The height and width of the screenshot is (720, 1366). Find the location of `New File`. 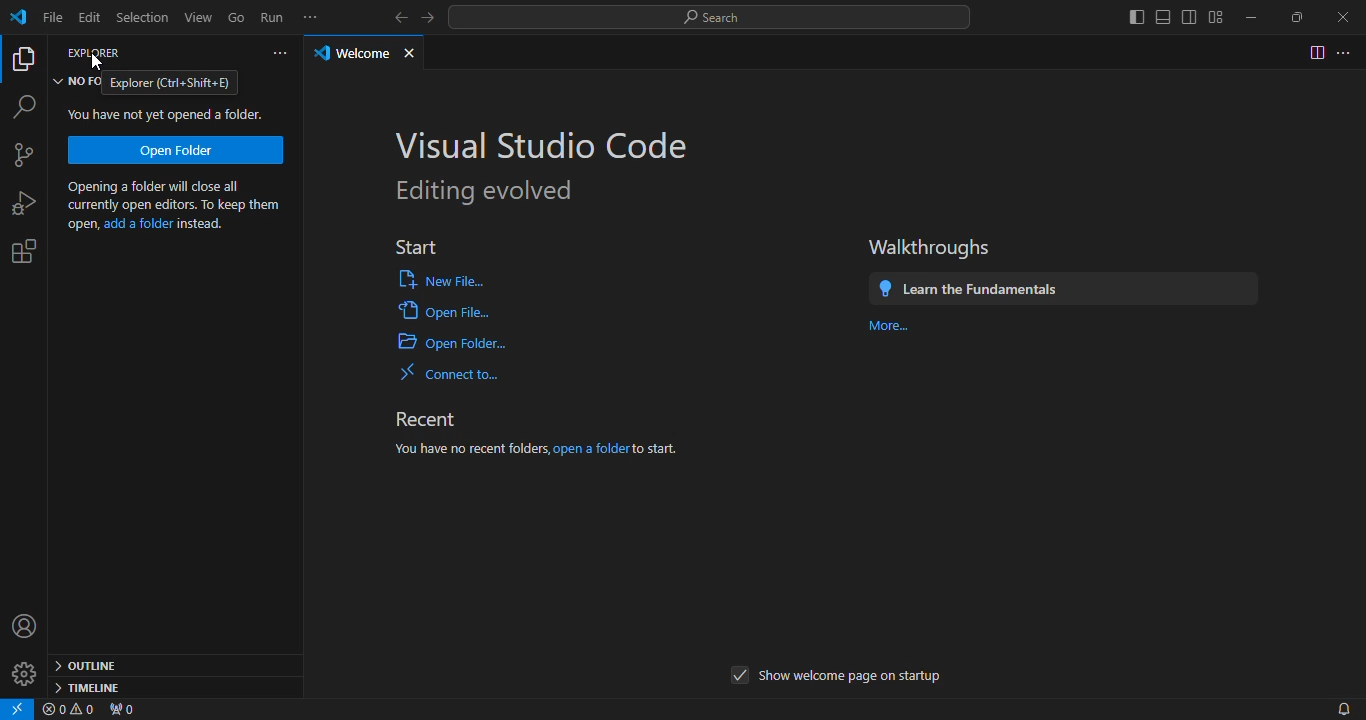

New File is located at coordinates (444, 280).